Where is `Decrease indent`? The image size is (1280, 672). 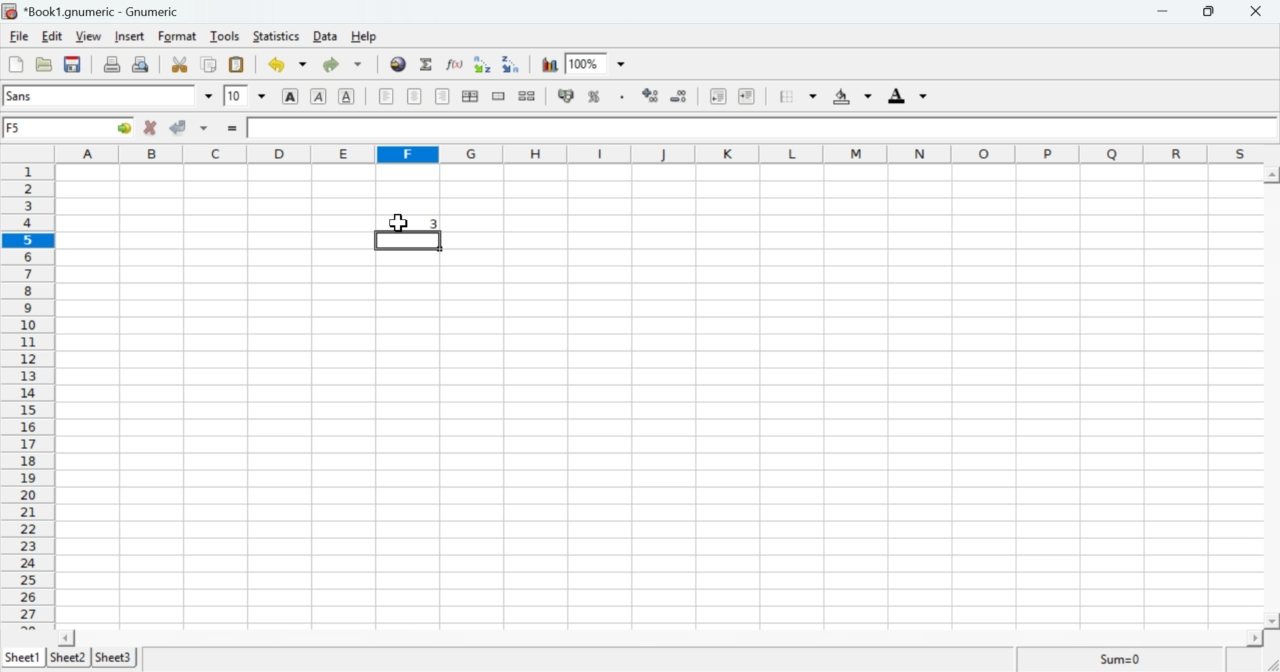
Decrease indent is located at coordinates (717, 95).